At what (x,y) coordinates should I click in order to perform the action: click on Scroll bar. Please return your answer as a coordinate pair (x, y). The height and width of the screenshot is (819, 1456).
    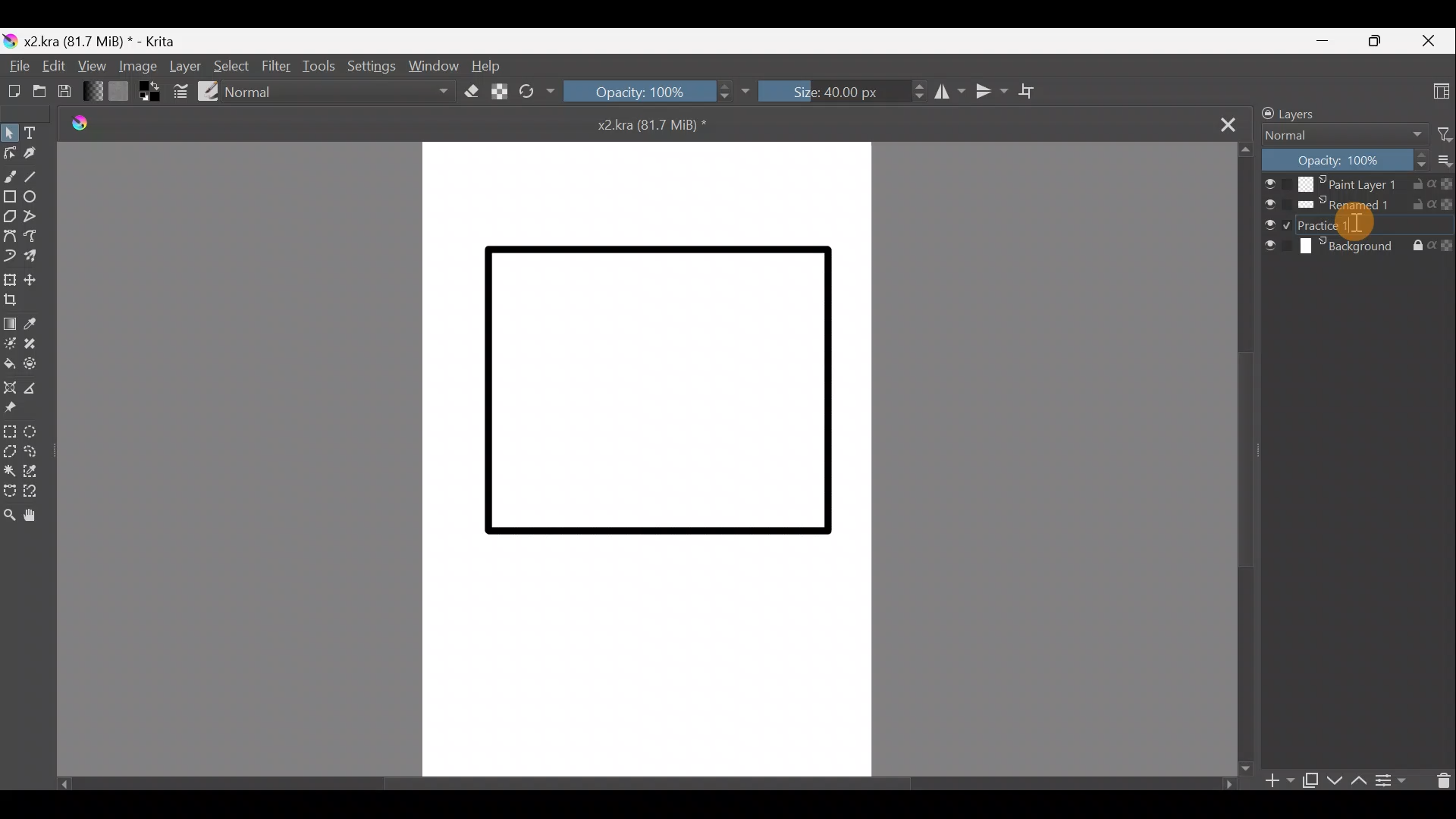
    Looking at the image, I should click on (631, 783).